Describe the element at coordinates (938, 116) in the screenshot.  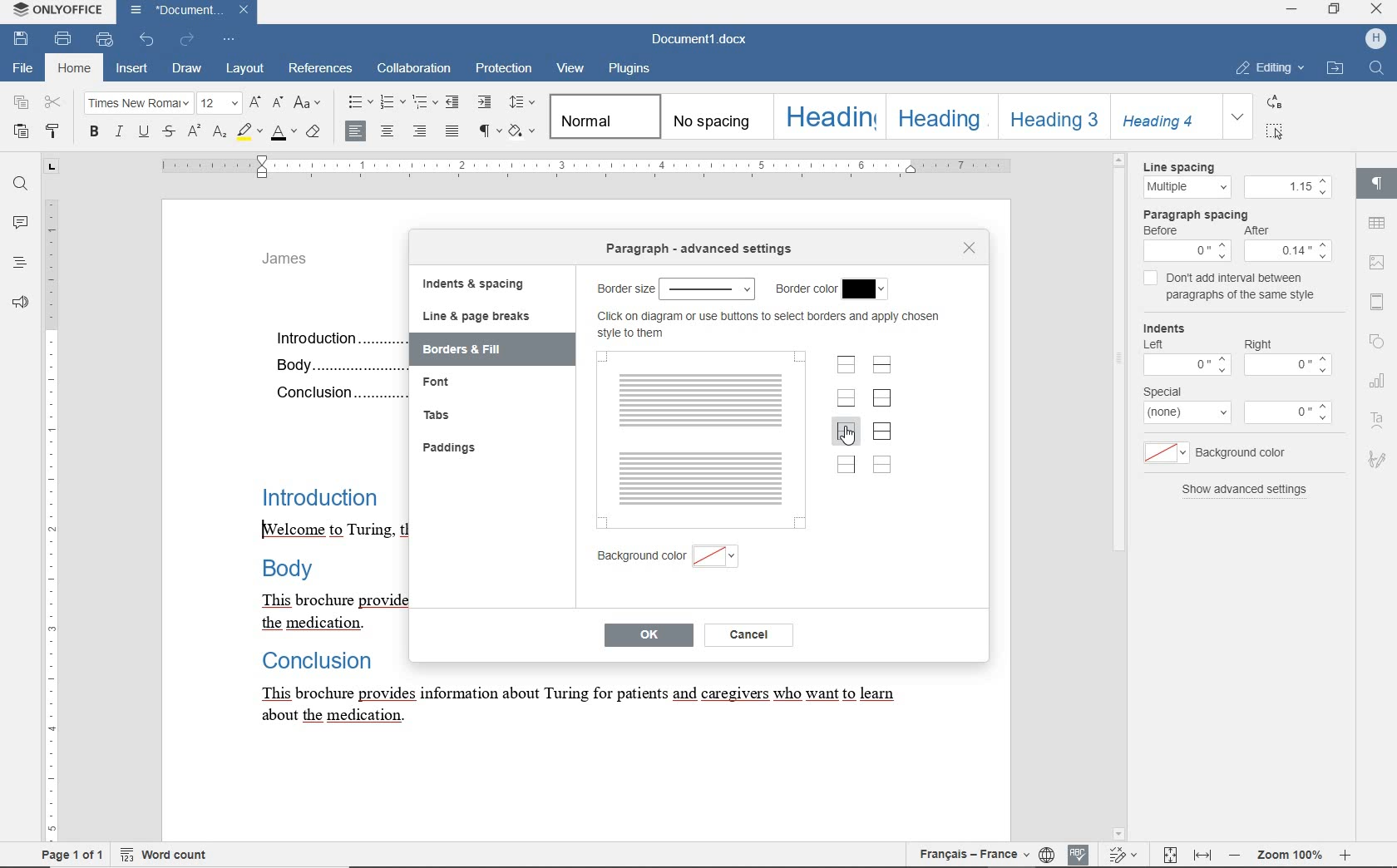
I see `heading 2` at that location.